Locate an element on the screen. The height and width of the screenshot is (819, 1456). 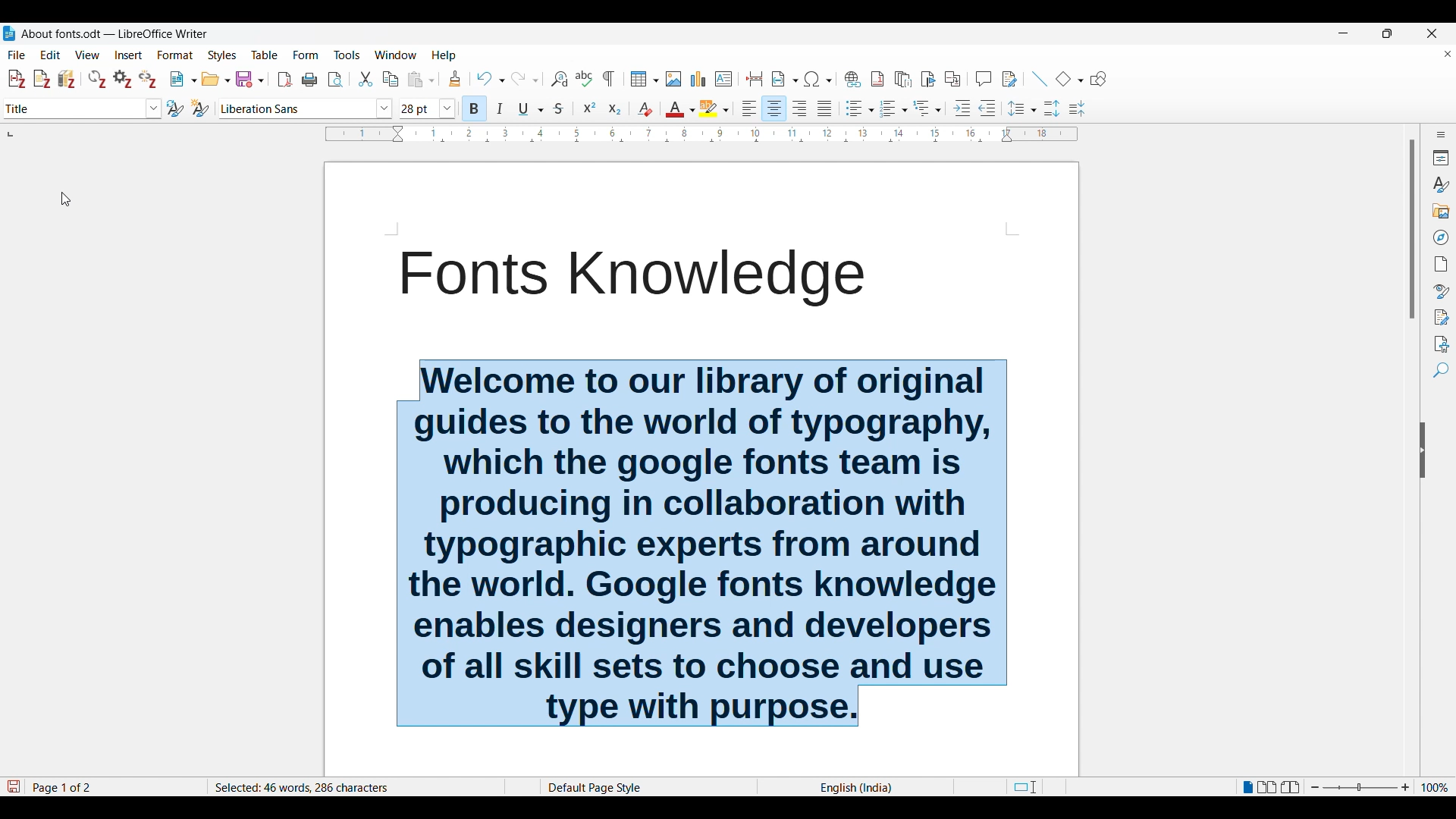
Undo is located at coordinates (491, 79).